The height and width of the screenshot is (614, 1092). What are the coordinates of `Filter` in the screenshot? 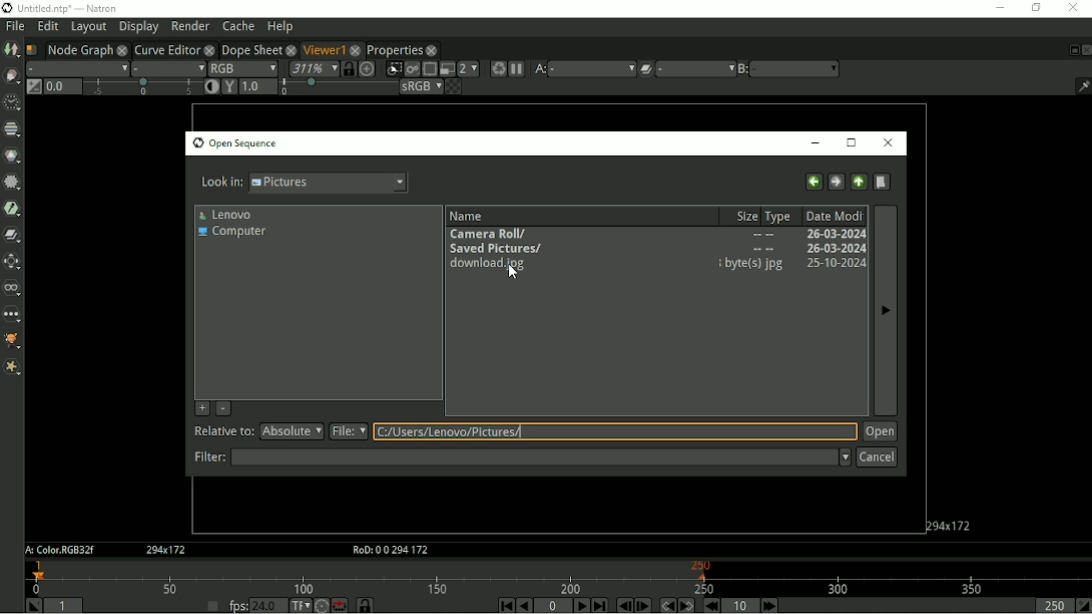 It's located at (541, 458).